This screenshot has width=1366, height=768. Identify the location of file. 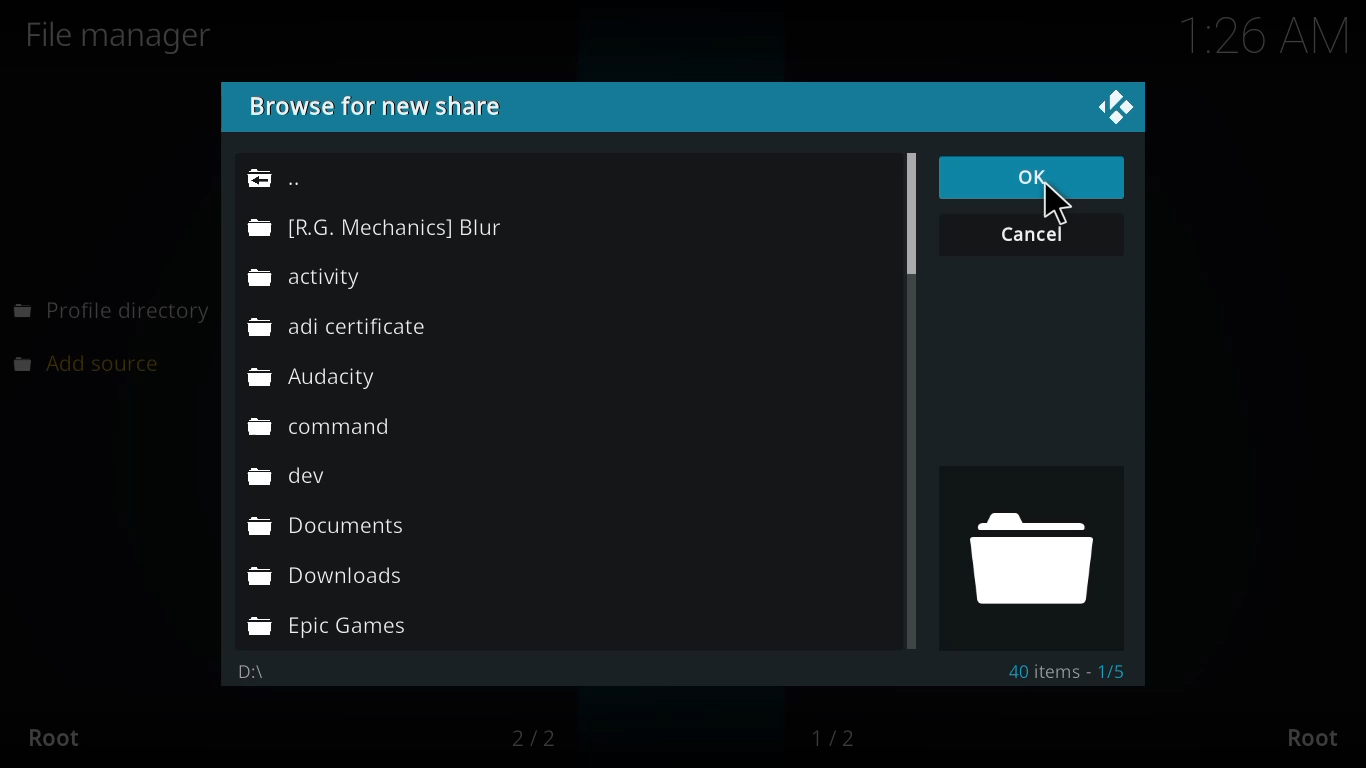
(328, 529).